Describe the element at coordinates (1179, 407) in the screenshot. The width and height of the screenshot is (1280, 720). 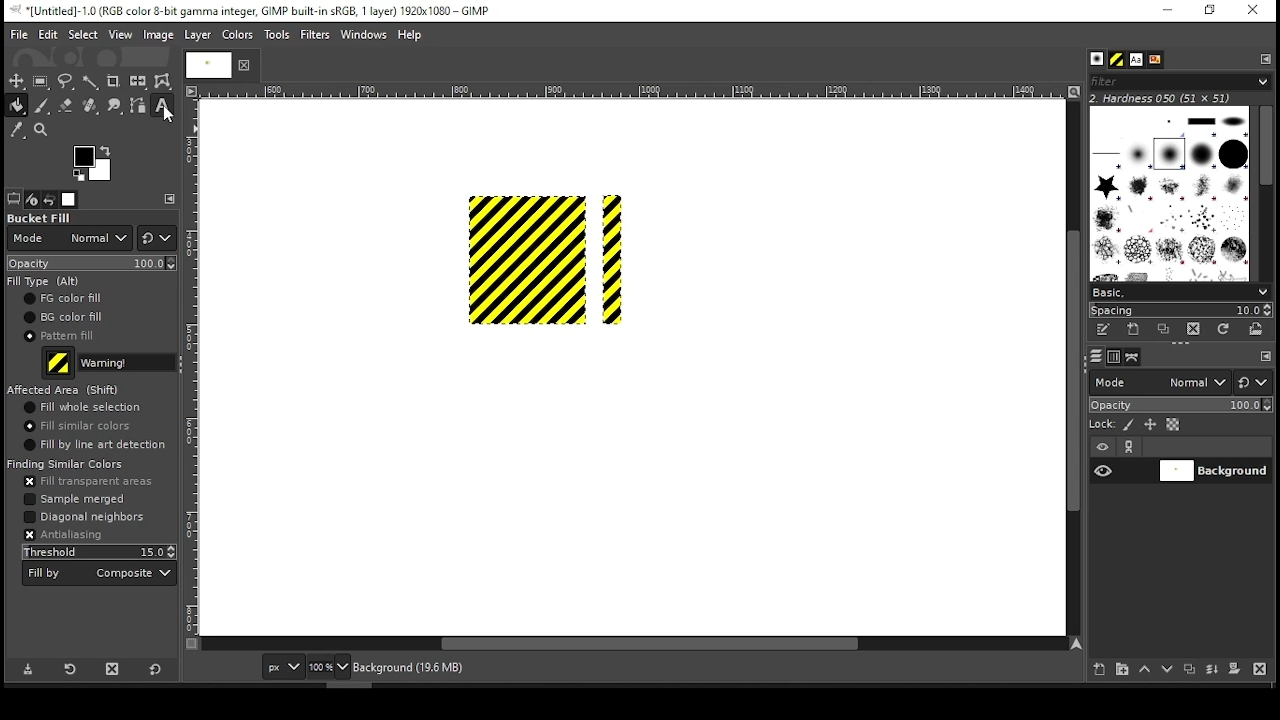
I see `opacity` at that location.